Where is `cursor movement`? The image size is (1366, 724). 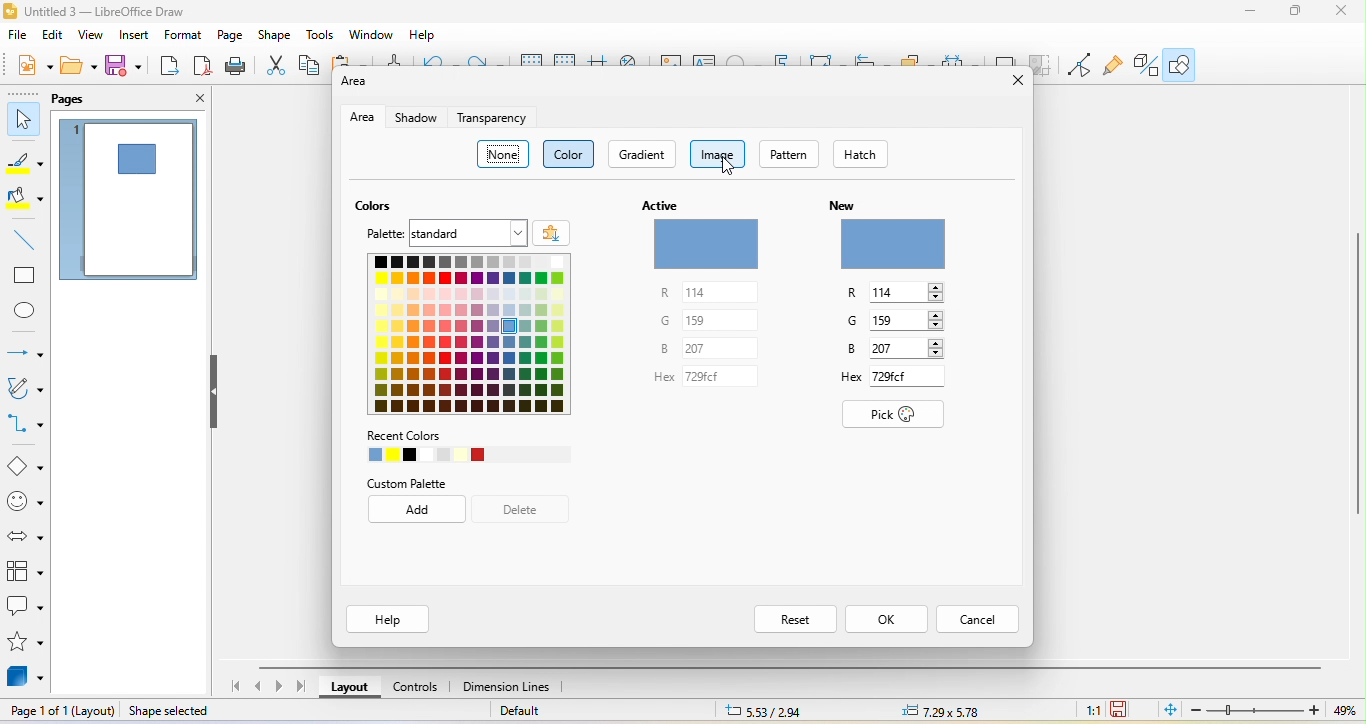 cursor movement is located at coordinates (734, 172).